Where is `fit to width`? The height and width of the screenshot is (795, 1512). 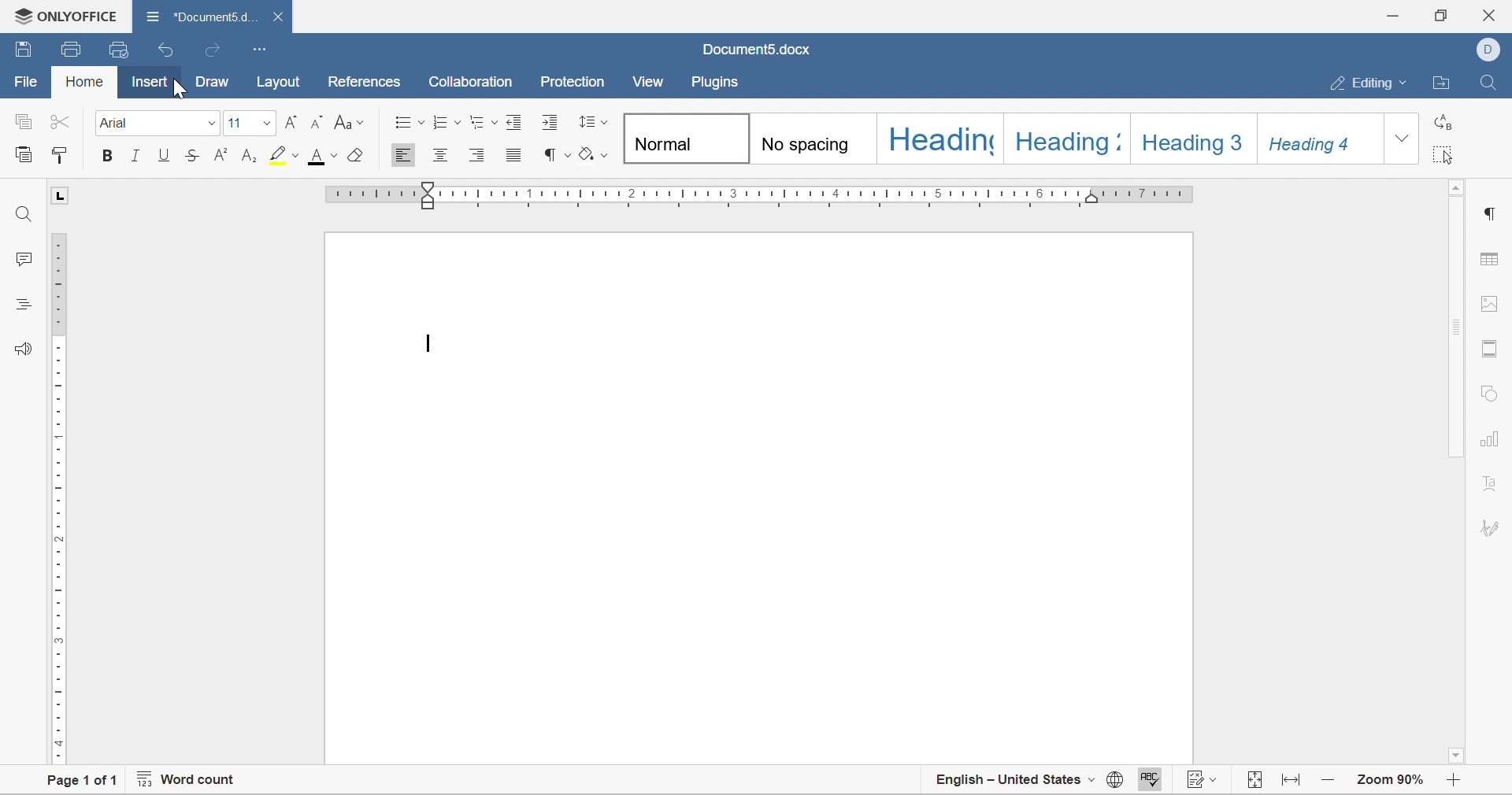
fit to width is located at coordinates (1252, 782).